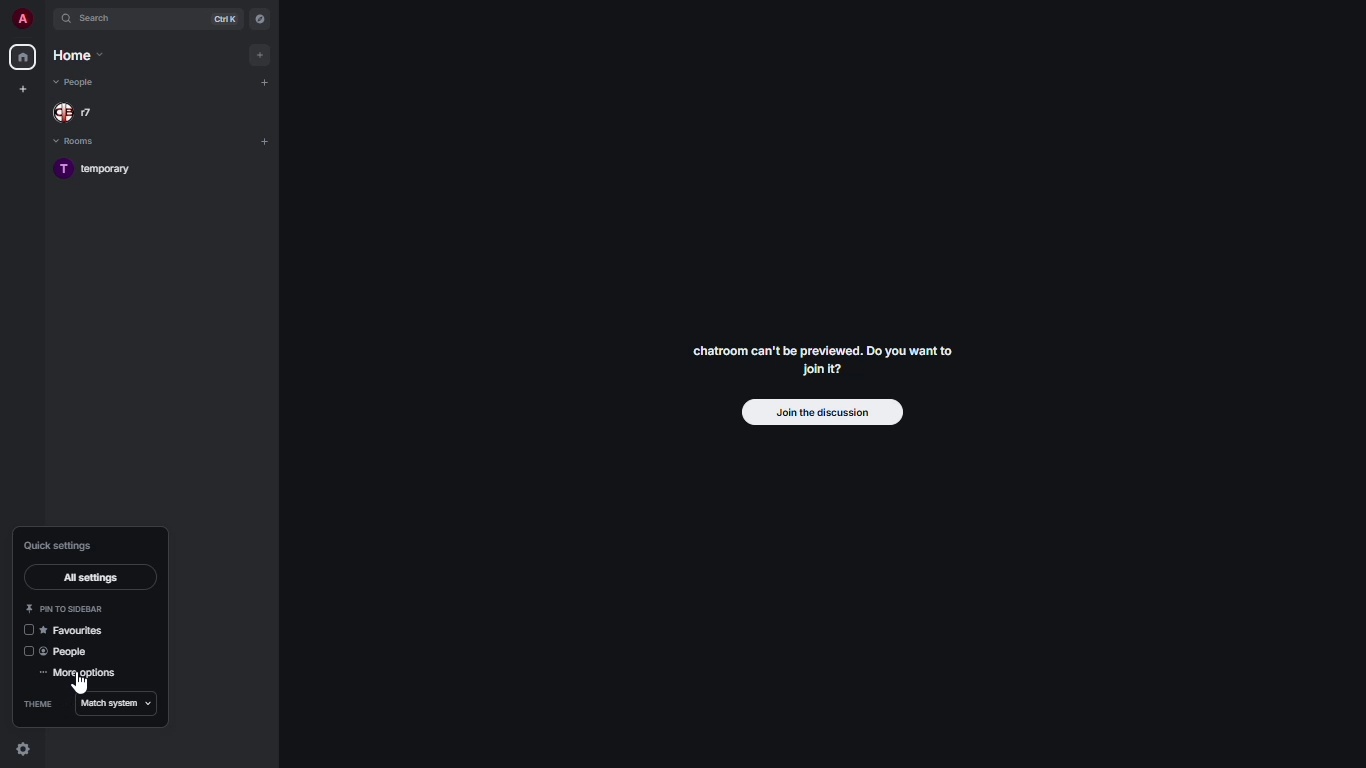  I want to click on expand, so click(45, 20).